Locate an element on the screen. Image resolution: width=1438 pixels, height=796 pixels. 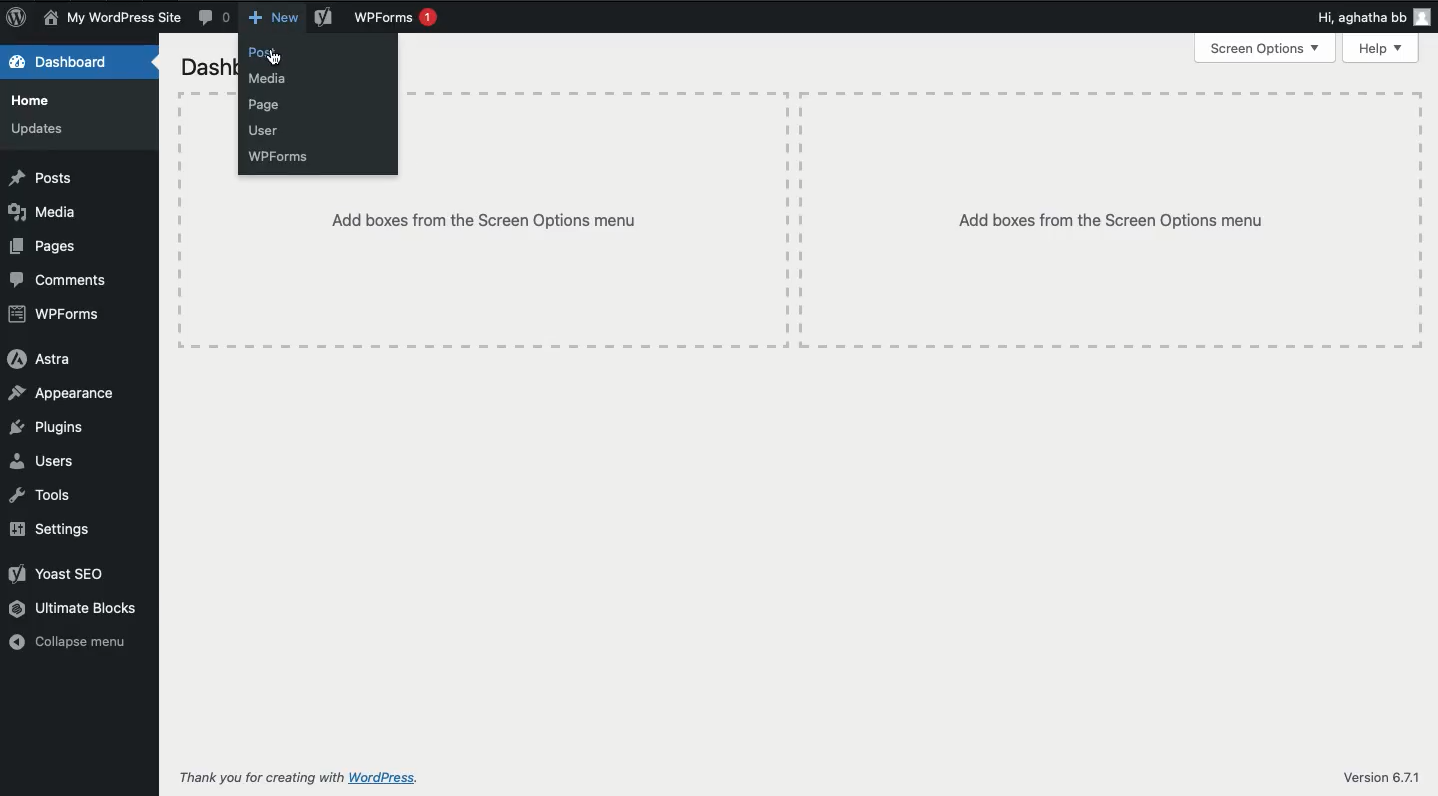
WPForms is located at coordinates (396, 18).